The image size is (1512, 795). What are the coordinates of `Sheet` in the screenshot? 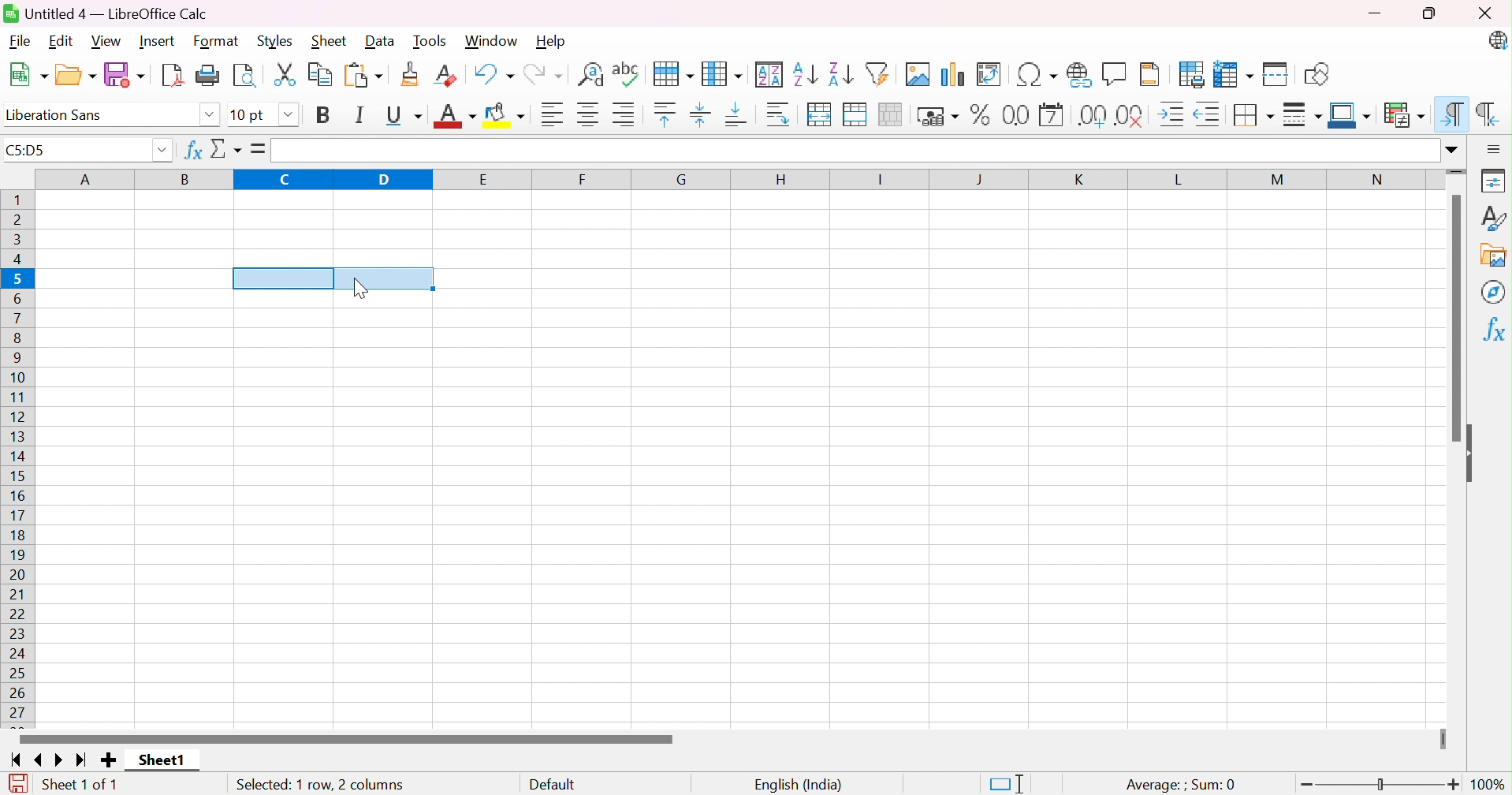 It's located at (329, 41).